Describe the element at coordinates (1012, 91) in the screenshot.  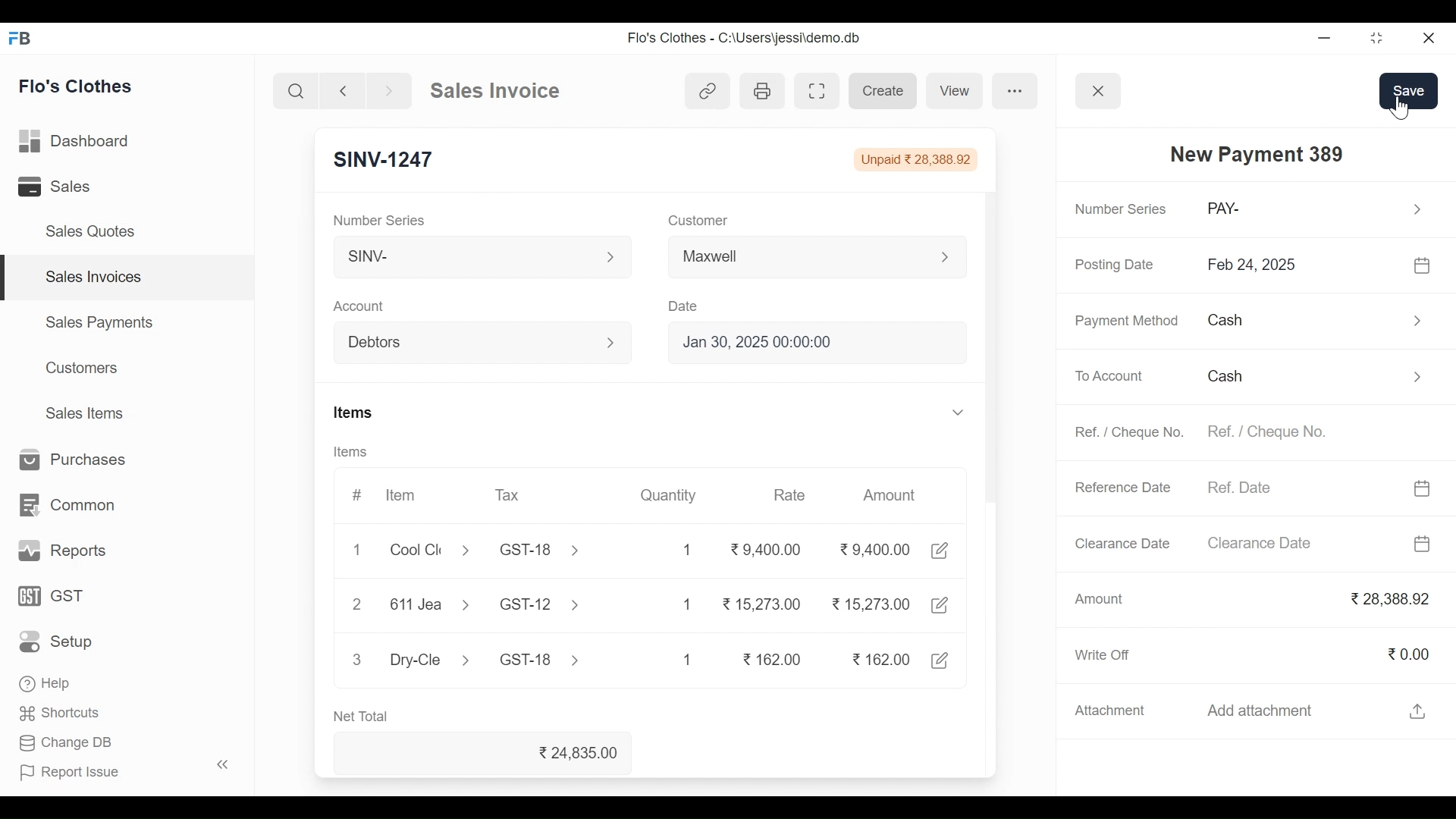
I see `more` at that location.